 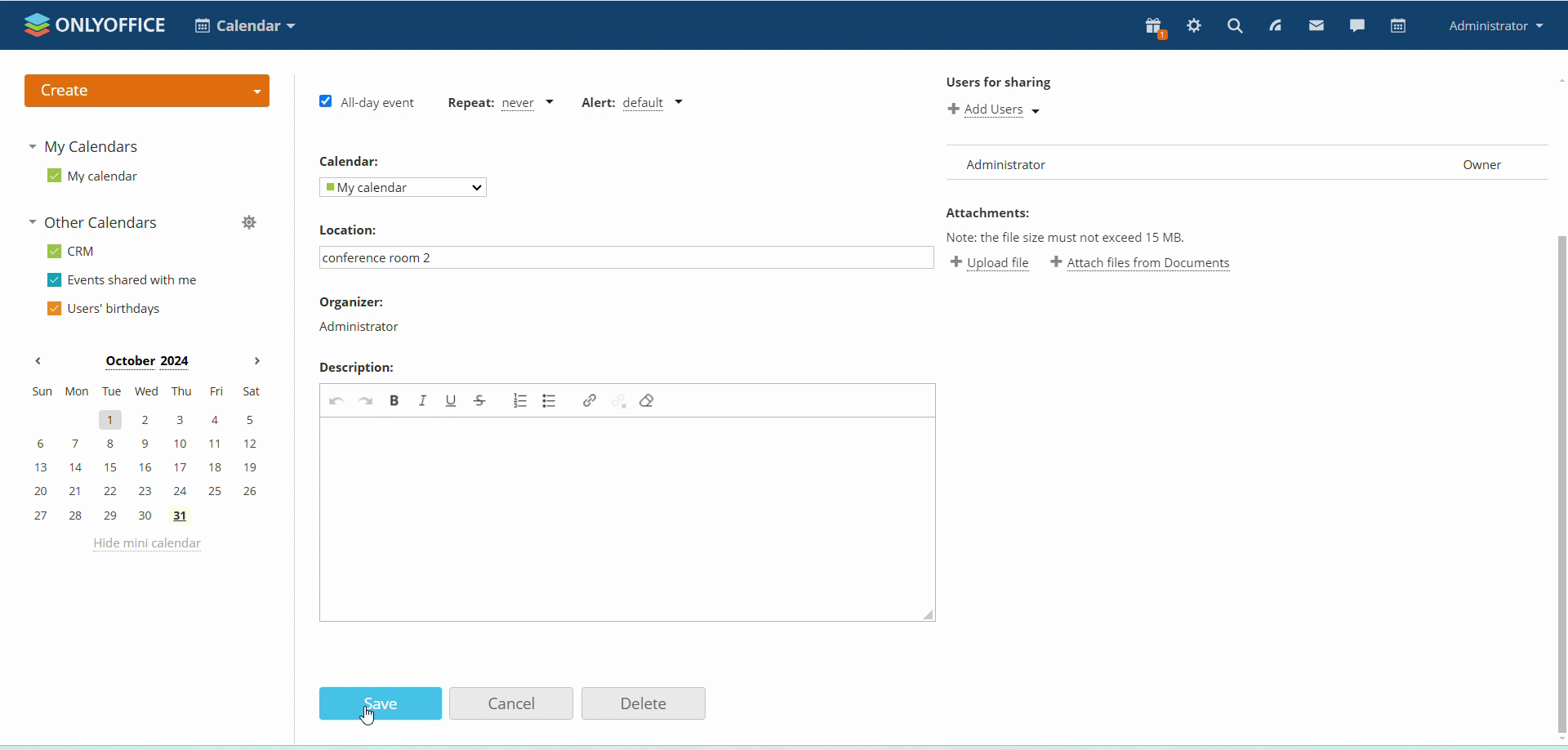 What do you see at coordinates (1276, 27) in the screenshot?
I see `feed` at bounding box center [1276, 27].